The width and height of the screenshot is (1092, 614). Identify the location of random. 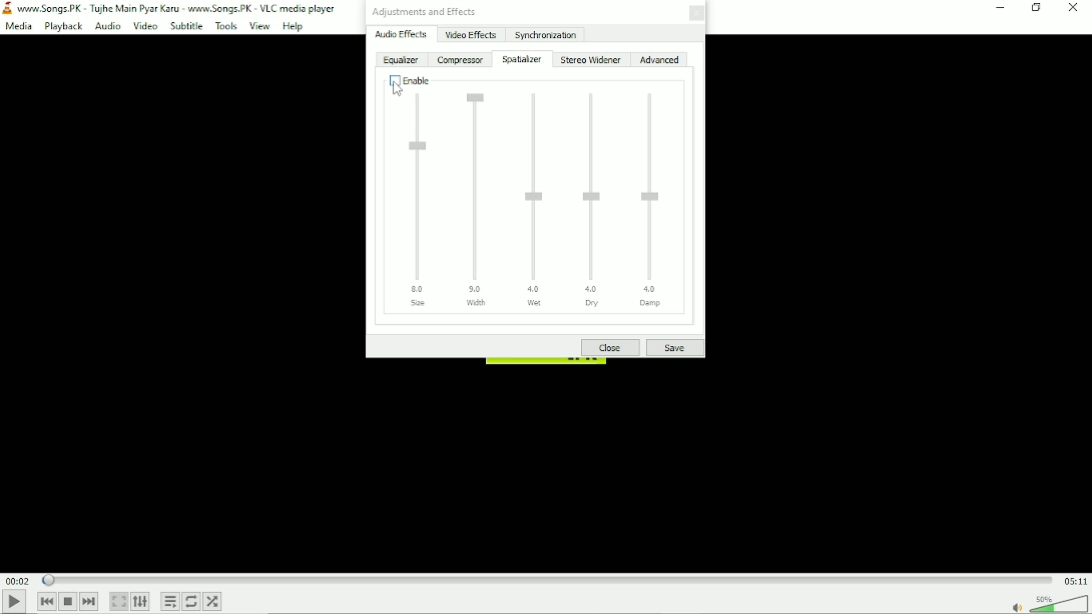
(213, 601).